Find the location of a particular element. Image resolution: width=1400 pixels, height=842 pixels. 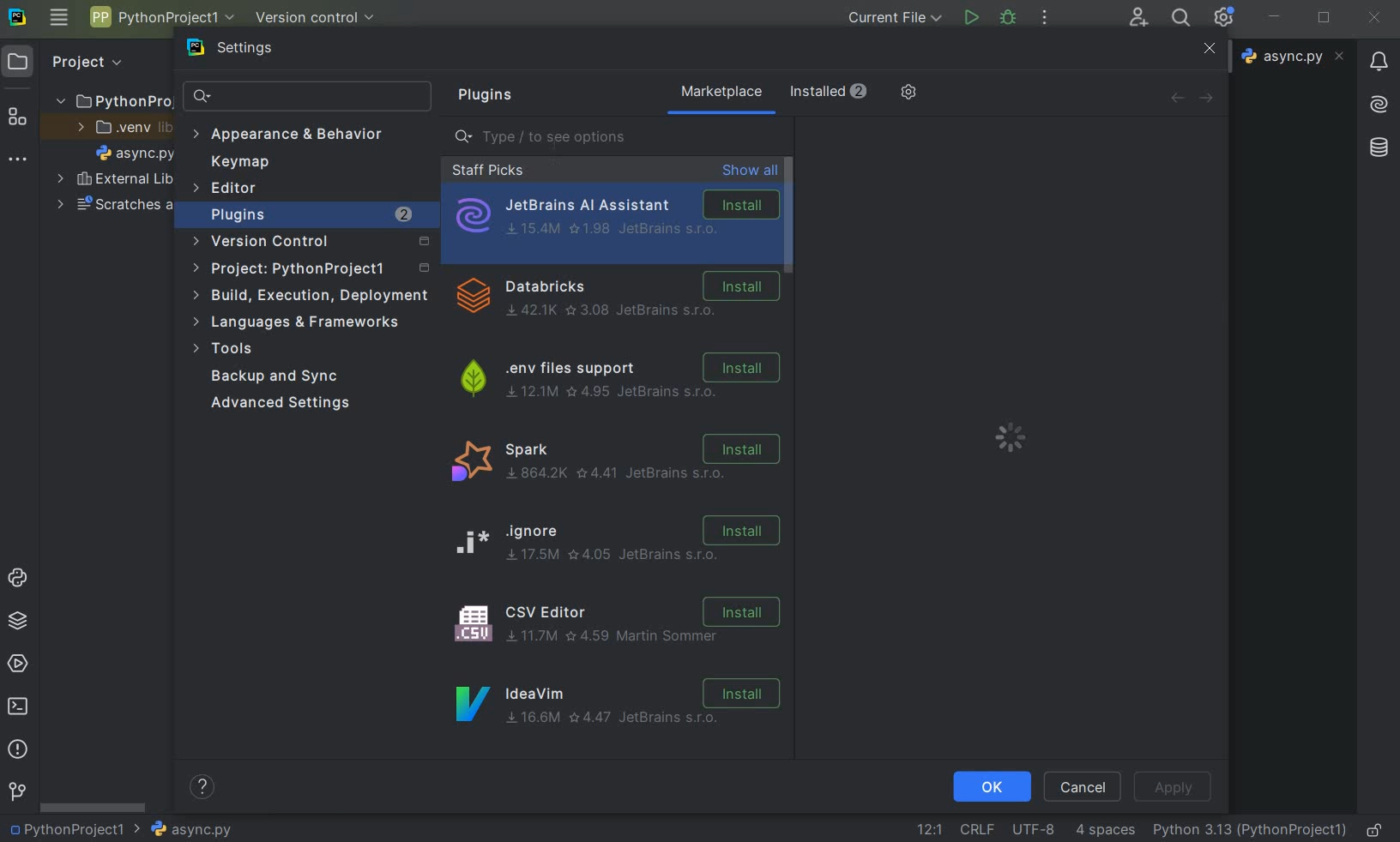

python packages is located at coordinates (16, 622).